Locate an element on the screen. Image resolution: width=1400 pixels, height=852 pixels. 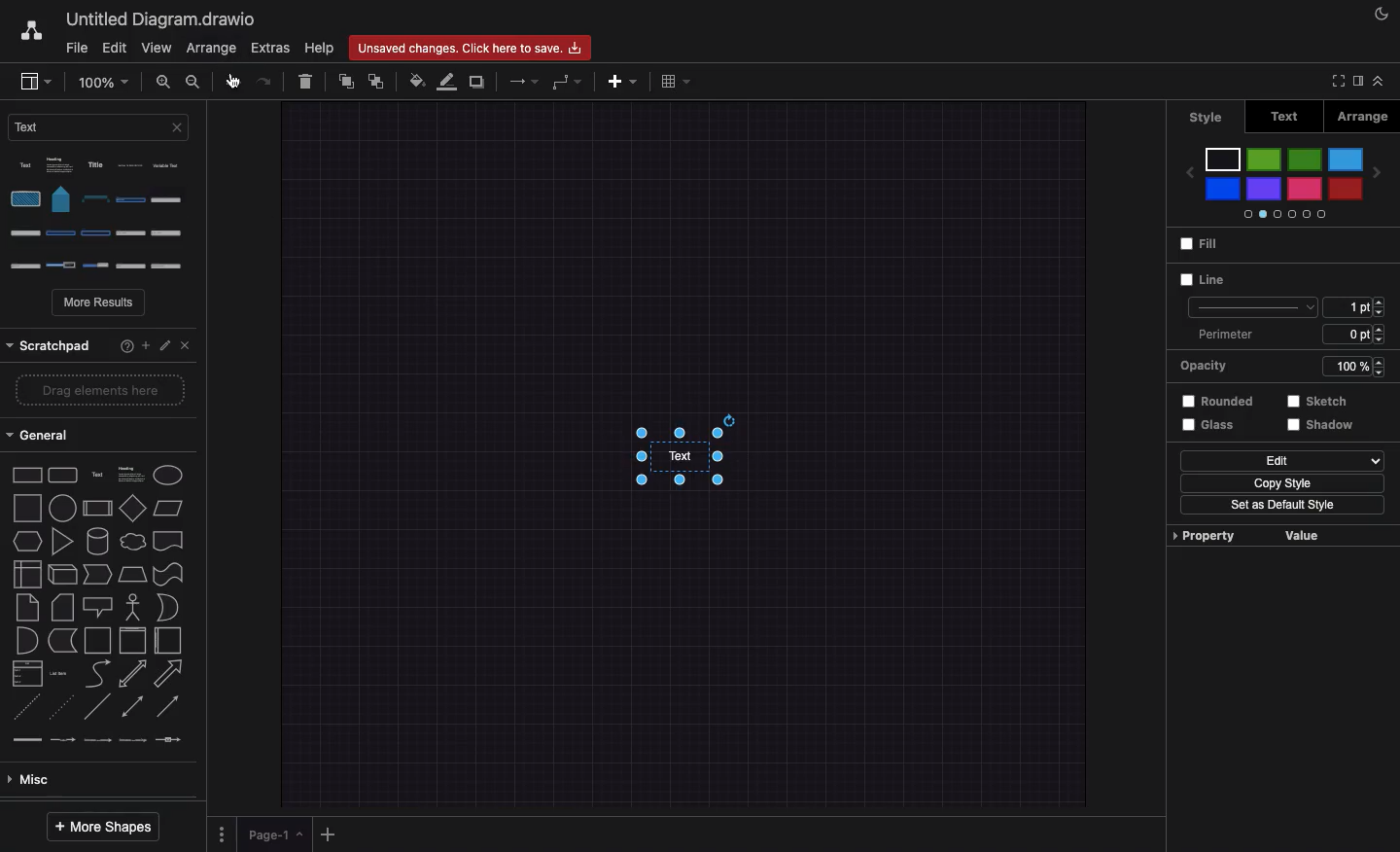
Unsaved changes. Click here to save. %; is located at coordinates (471, 47).